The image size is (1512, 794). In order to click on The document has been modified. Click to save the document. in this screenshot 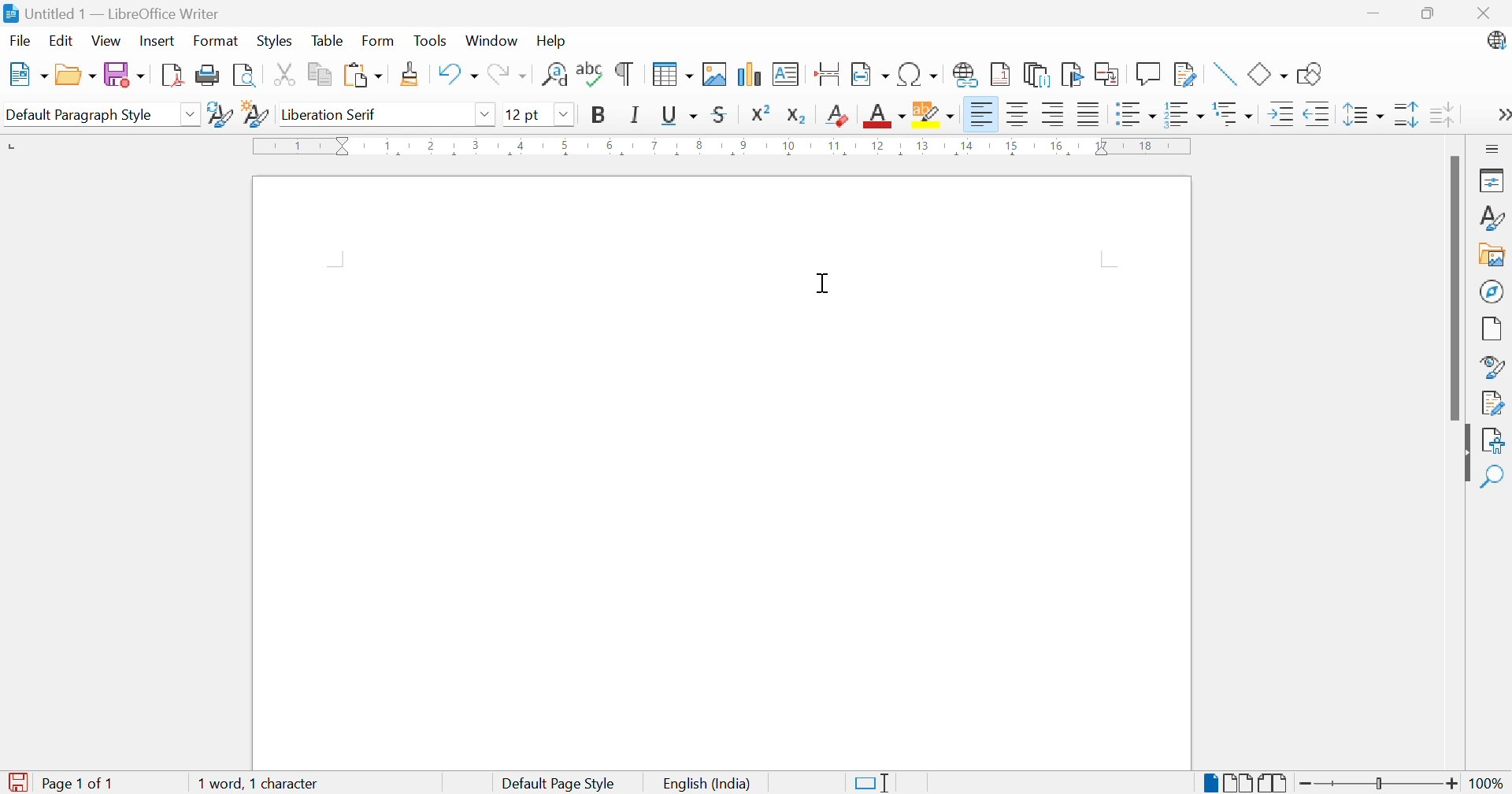, I will do `click(20, 781)`.